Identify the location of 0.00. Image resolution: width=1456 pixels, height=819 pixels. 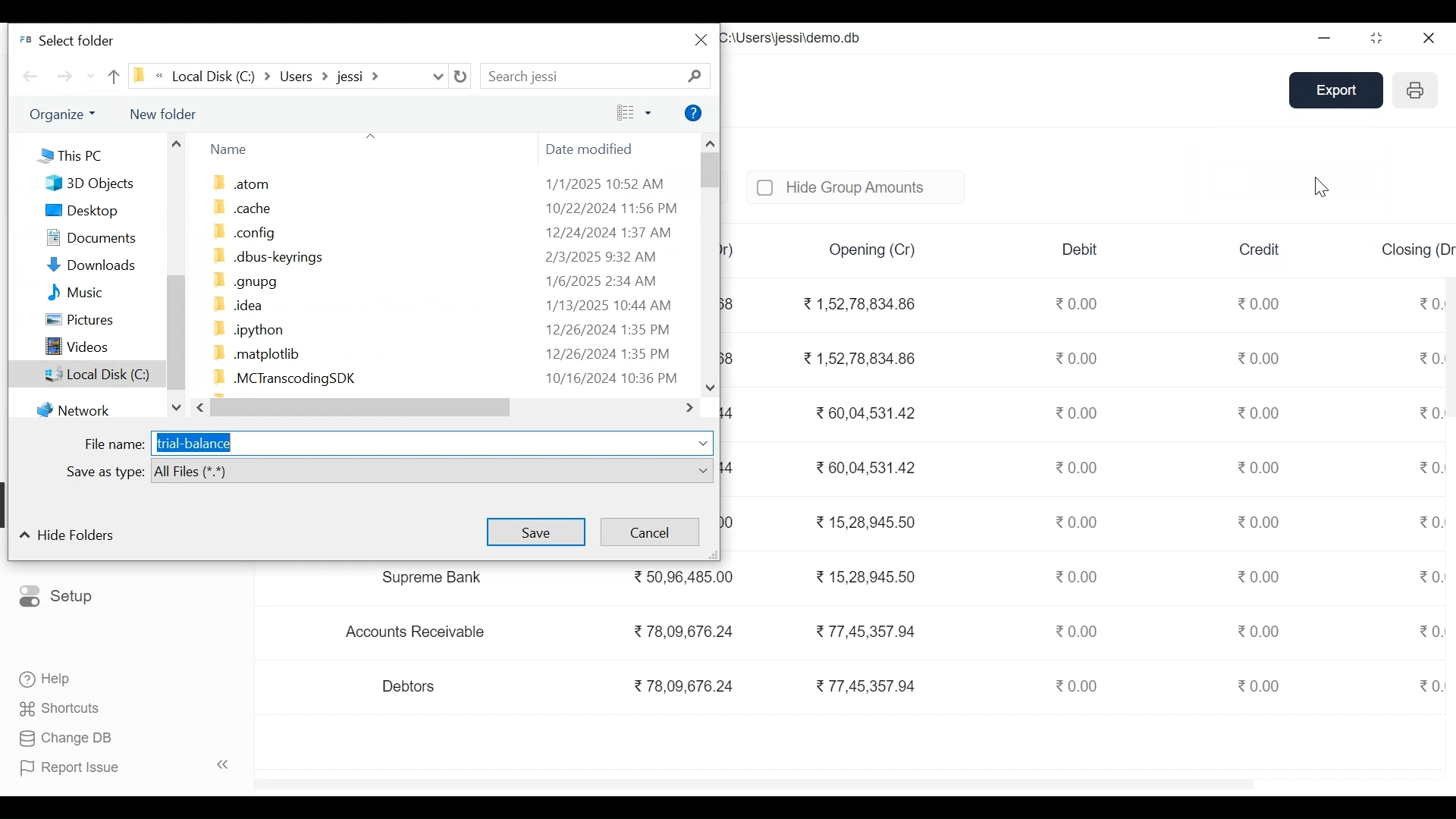
(1078, 575).